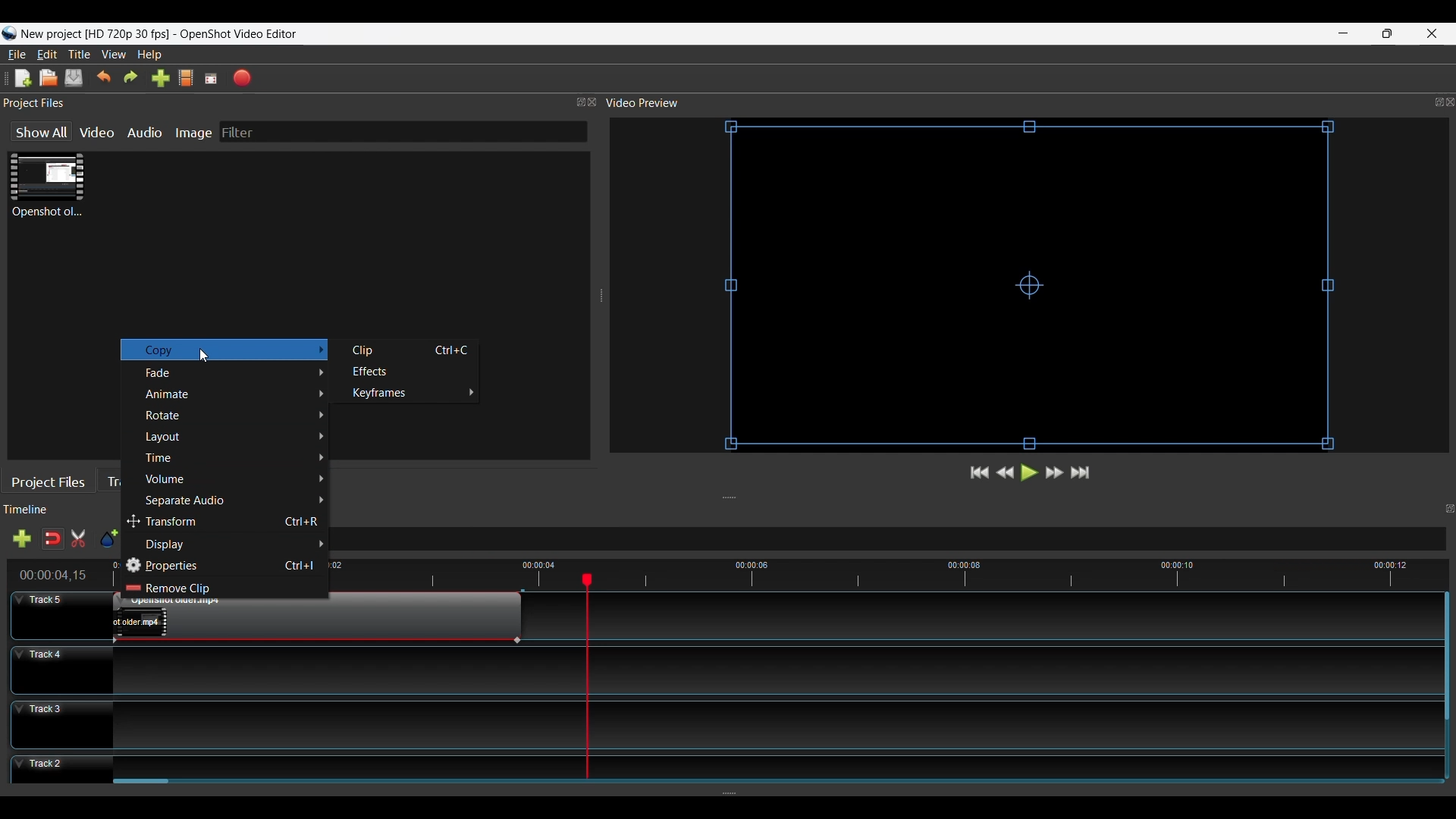 Image resolution: width=1456 pixels, height=819 pixels. What do you see at coordinates (226, 563) in the screenshot?
I see `Properties` at bounding box center [226, 563].